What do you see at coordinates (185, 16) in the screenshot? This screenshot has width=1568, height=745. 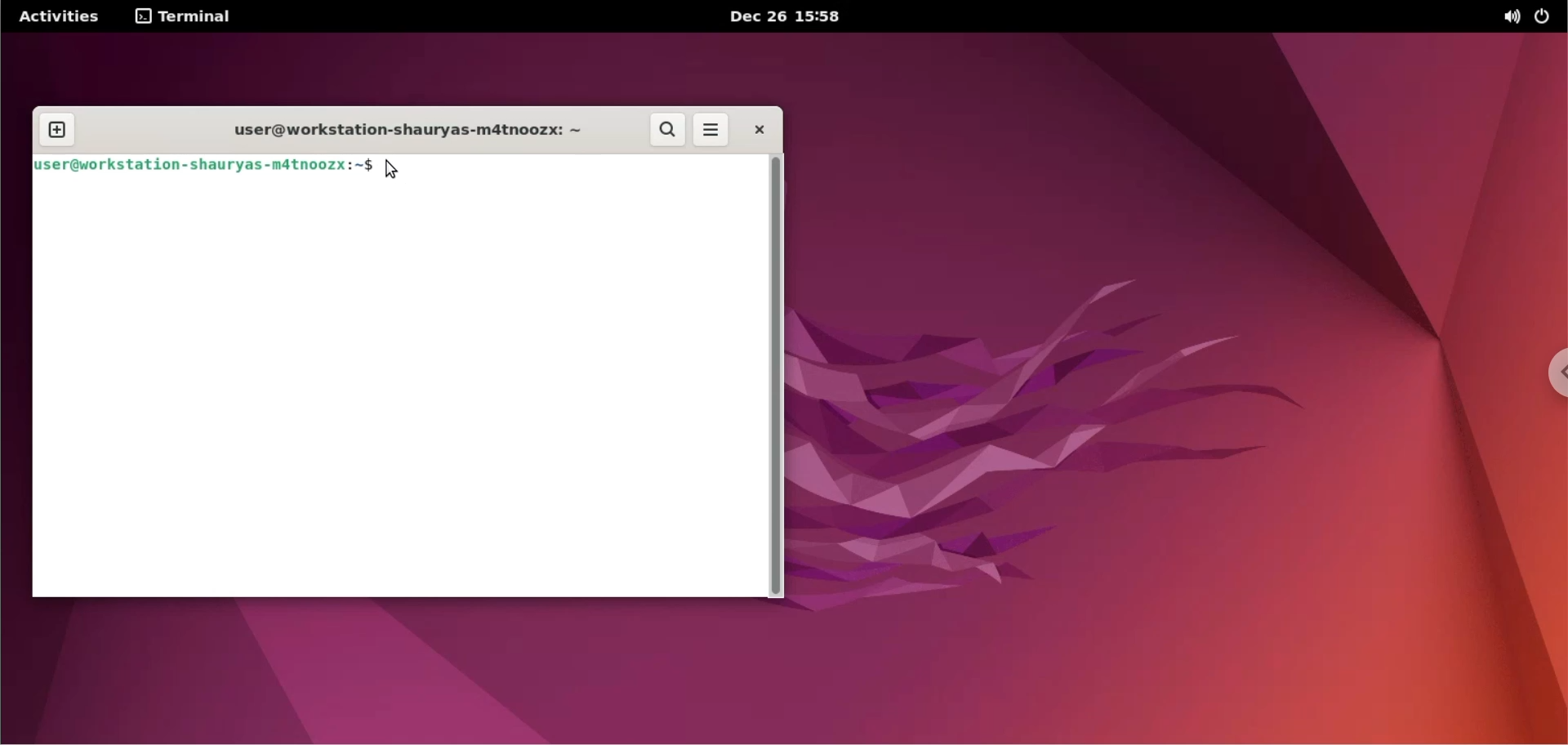 I see `terminal ` at bounding box center [185, 16].